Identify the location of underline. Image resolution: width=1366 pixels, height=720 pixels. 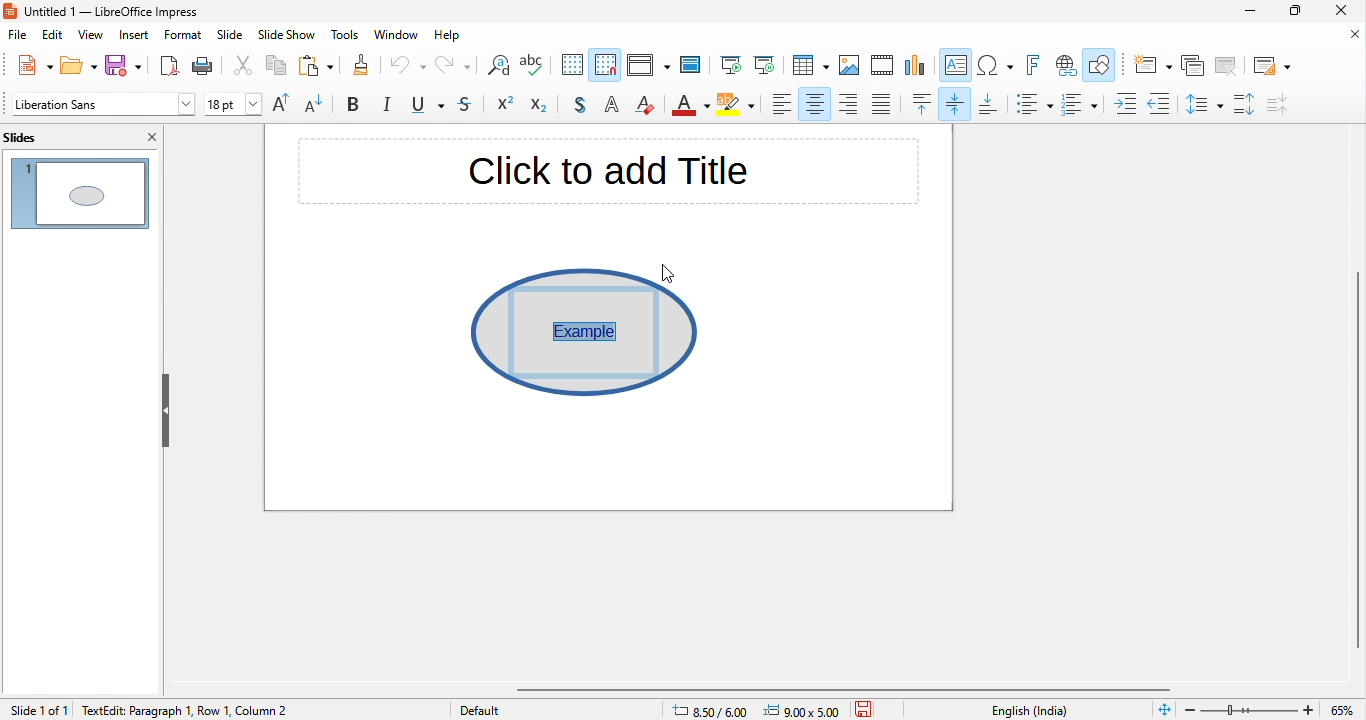
(430, 107).